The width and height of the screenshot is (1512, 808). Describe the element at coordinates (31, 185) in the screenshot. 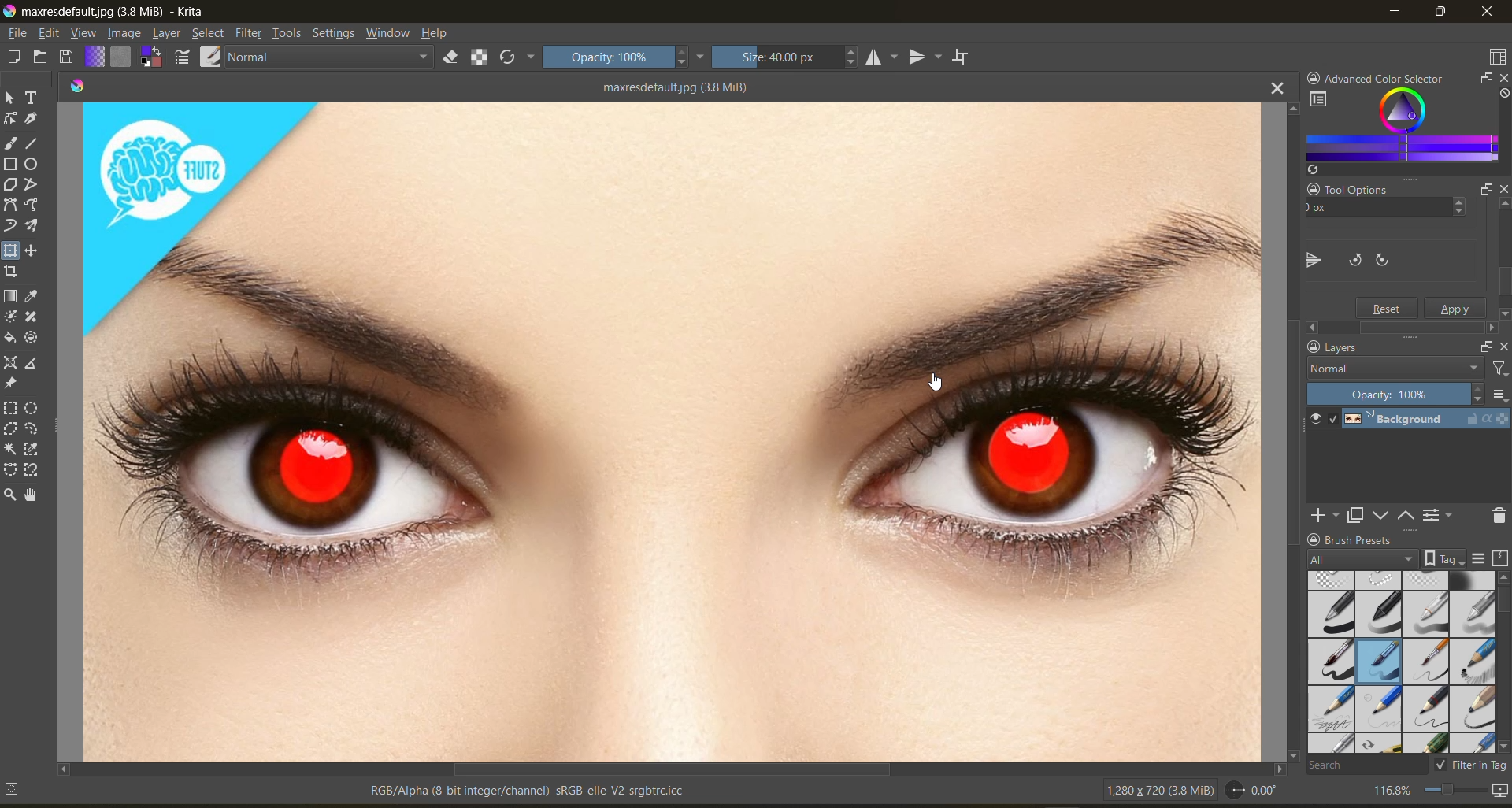

I see `tool` at that location.